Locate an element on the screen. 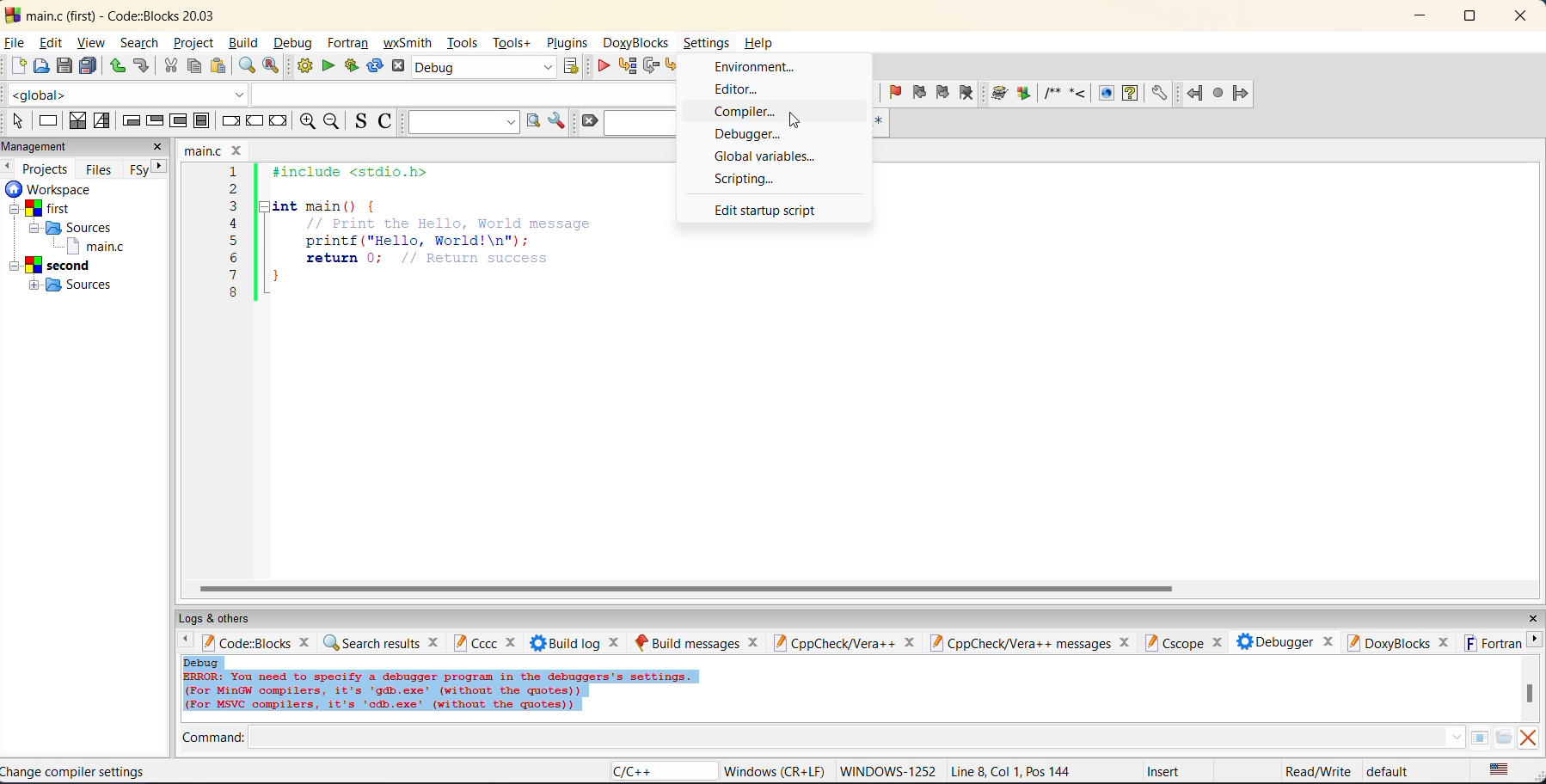 This screenshot has width=1546, height=784. ‘Windows (CR+LF) is located at coordinates (772, 769).